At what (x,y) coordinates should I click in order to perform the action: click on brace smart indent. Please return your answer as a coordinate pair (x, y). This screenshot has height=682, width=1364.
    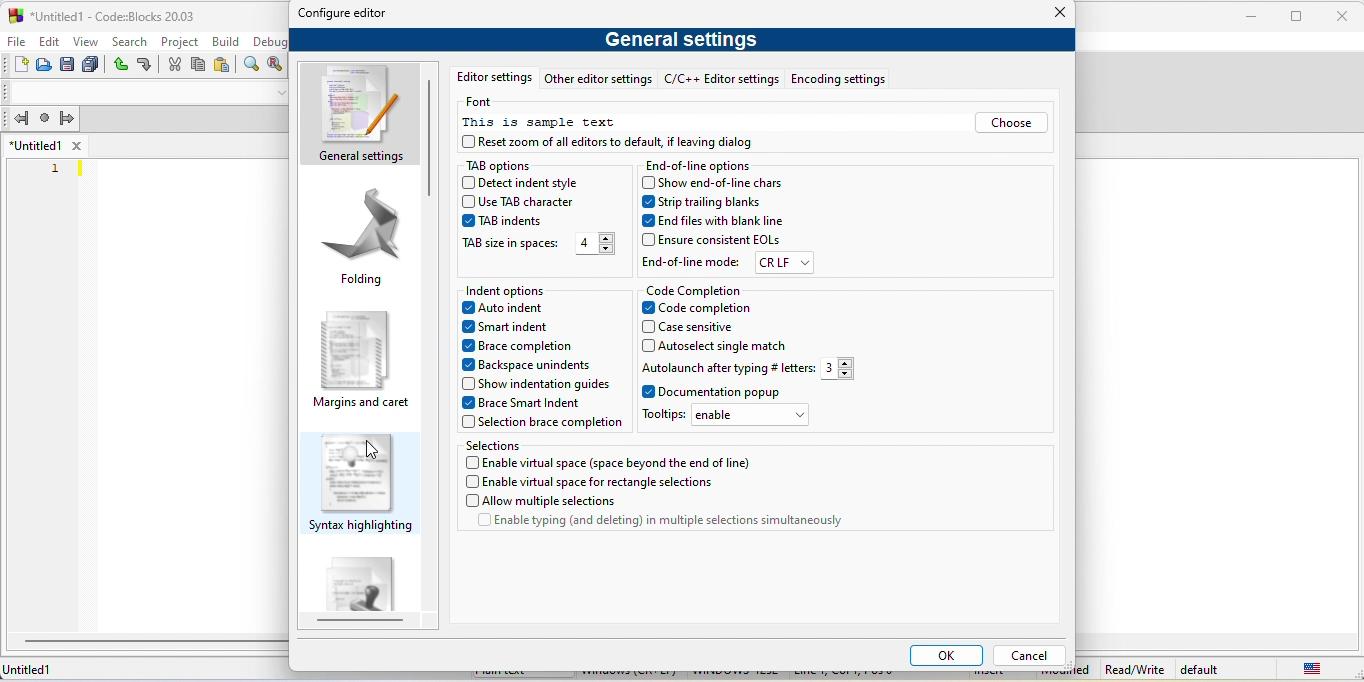
    Looking at the image, I should click on (523, 403).